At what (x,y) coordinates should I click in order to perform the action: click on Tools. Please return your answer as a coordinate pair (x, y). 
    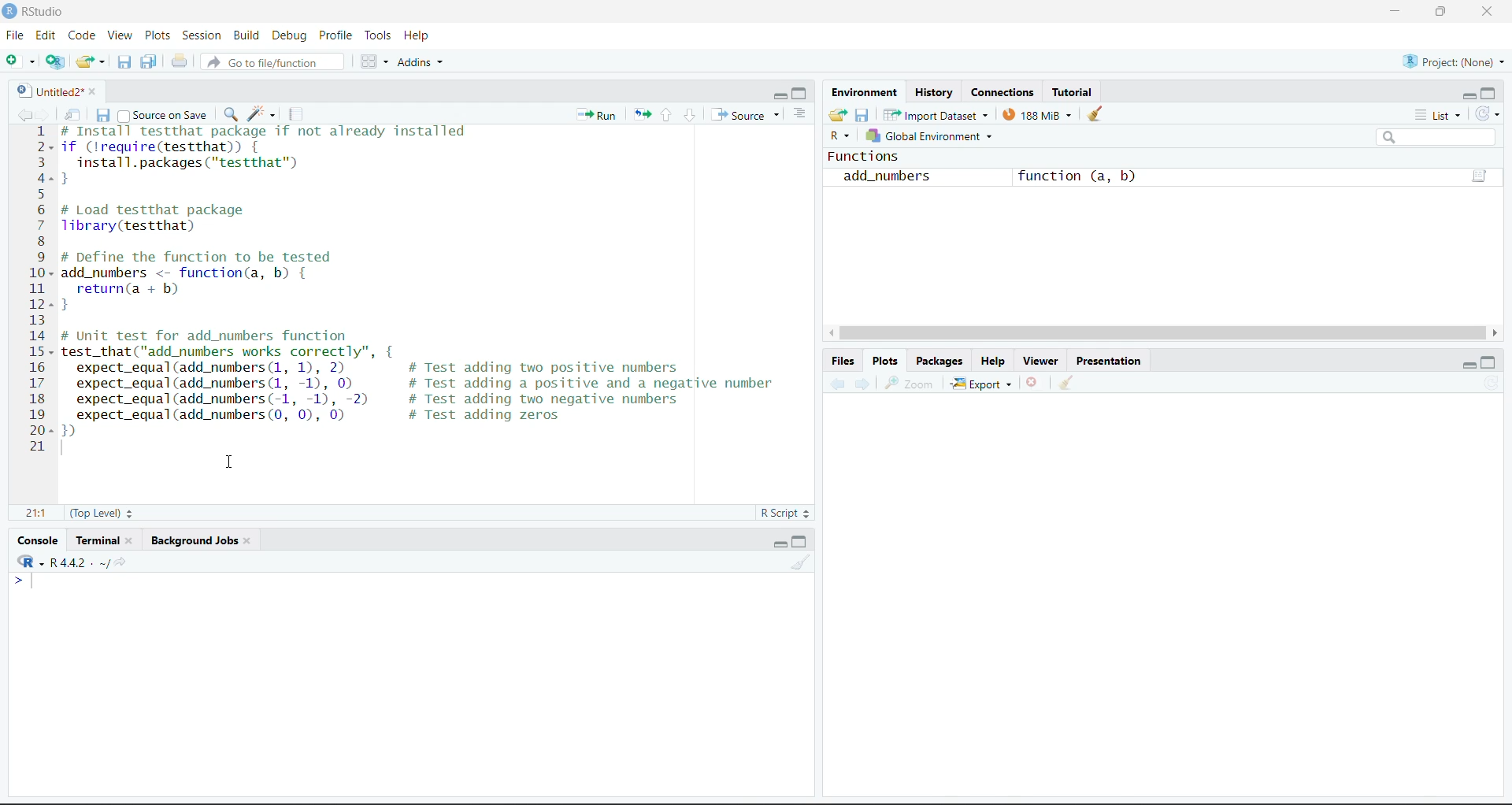
    Looking at the image, I should click on (380, 33).